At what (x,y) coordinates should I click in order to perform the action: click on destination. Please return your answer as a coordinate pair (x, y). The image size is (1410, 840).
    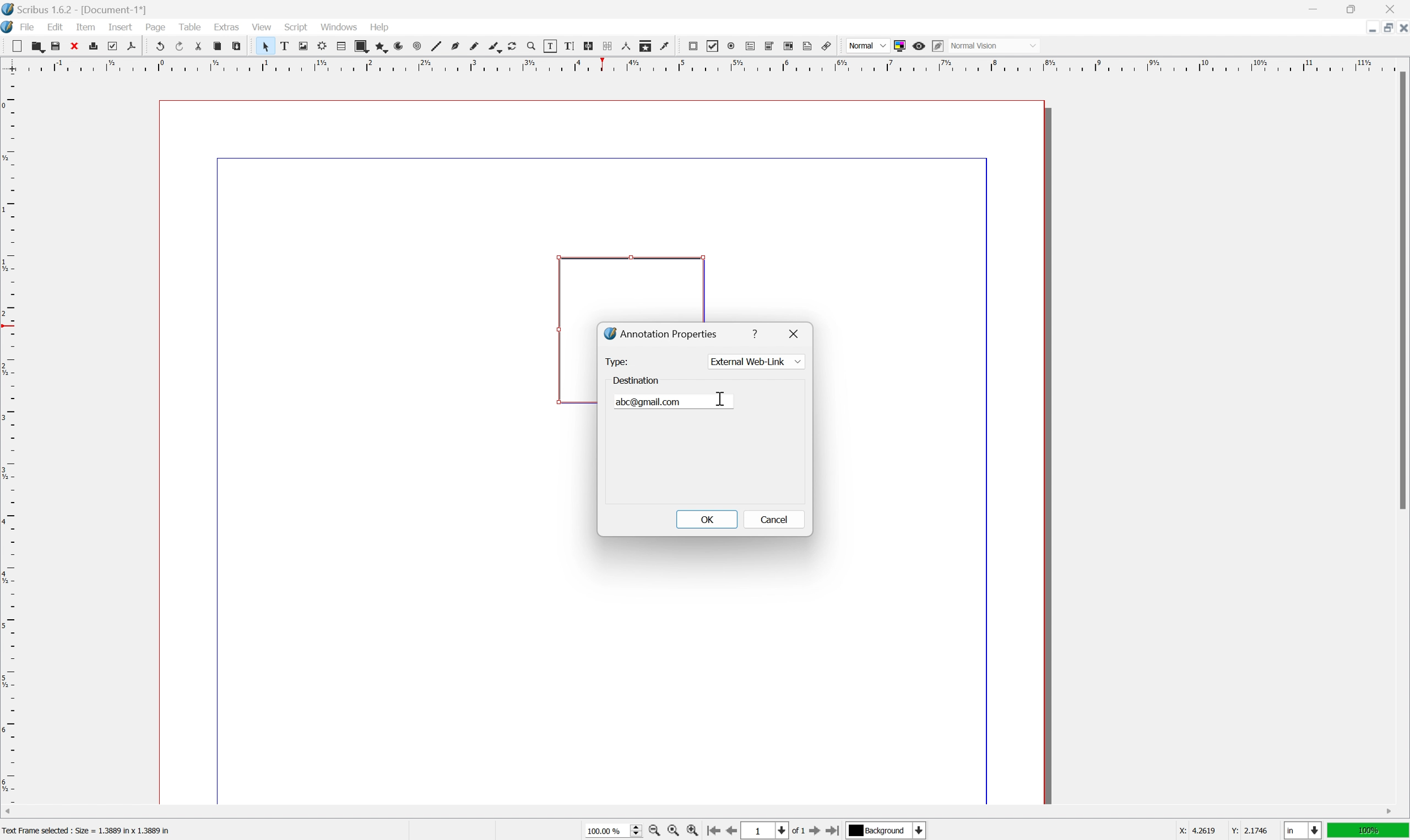
    Looking at the image, I should click on (635, 381).